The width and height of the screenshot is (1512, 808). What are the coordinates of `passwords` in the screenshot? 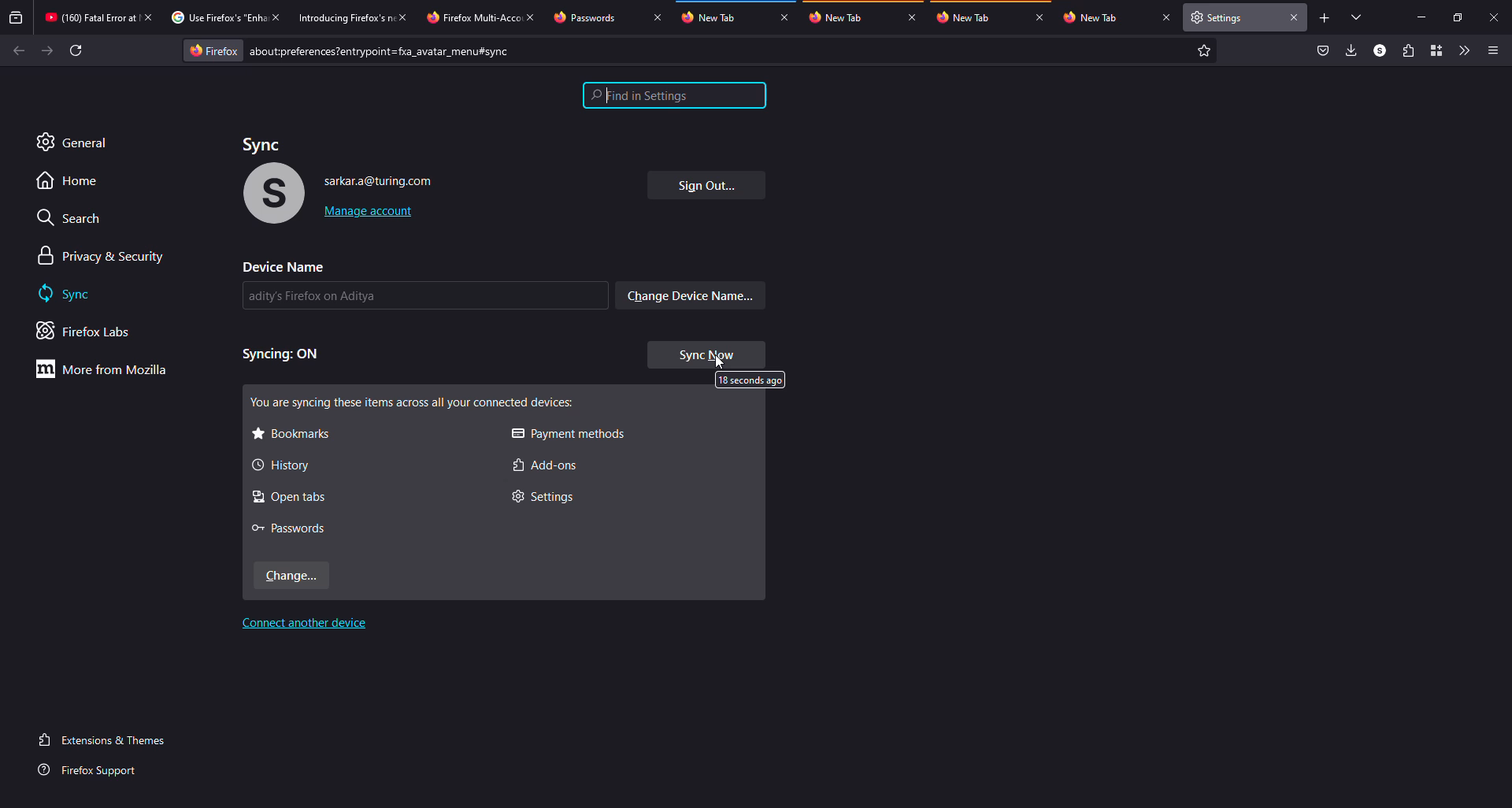 It's located at (291, 528).